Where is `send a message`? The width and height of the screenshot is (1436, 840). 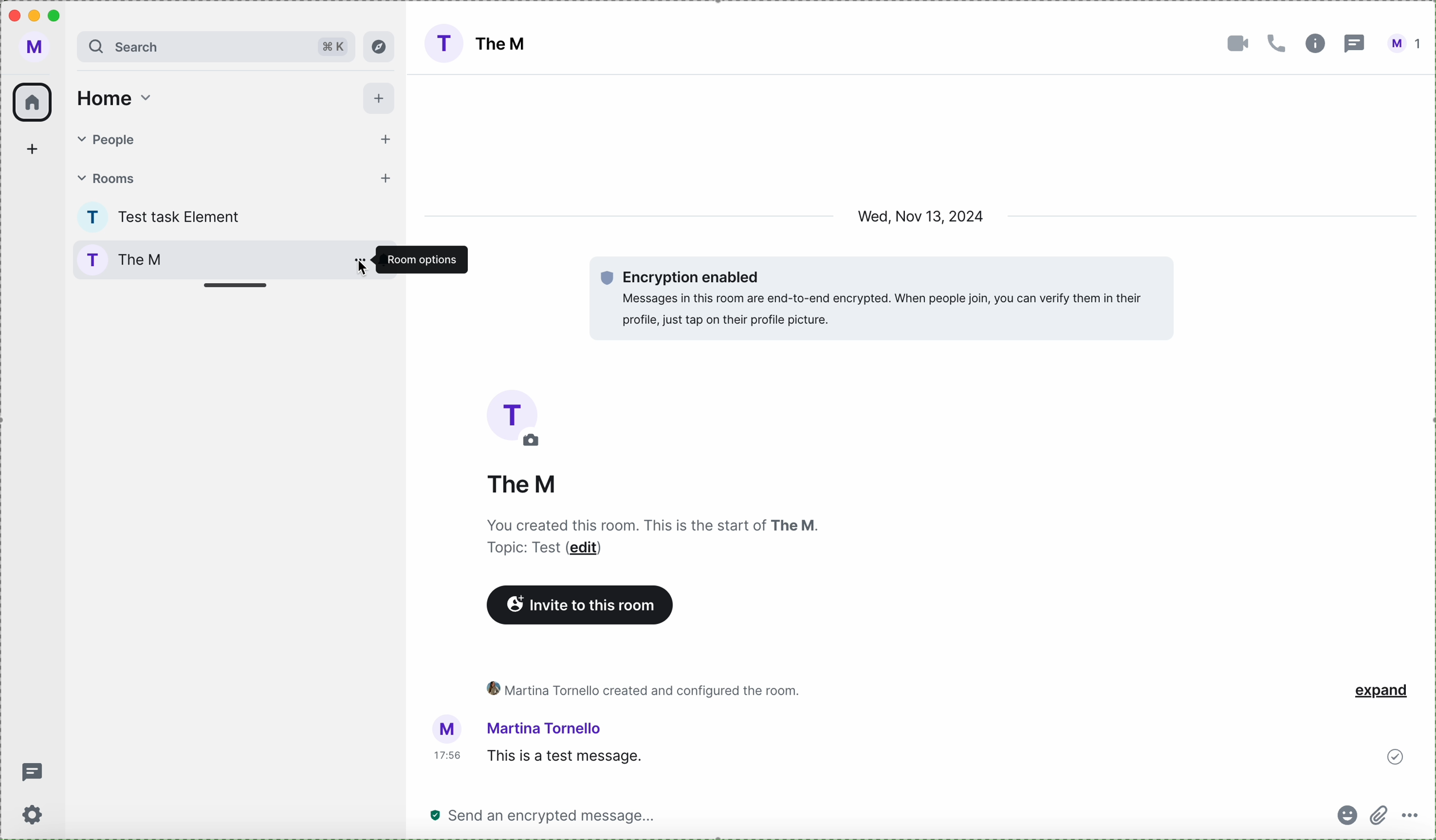 send a message is located at coordinates (546, 815).